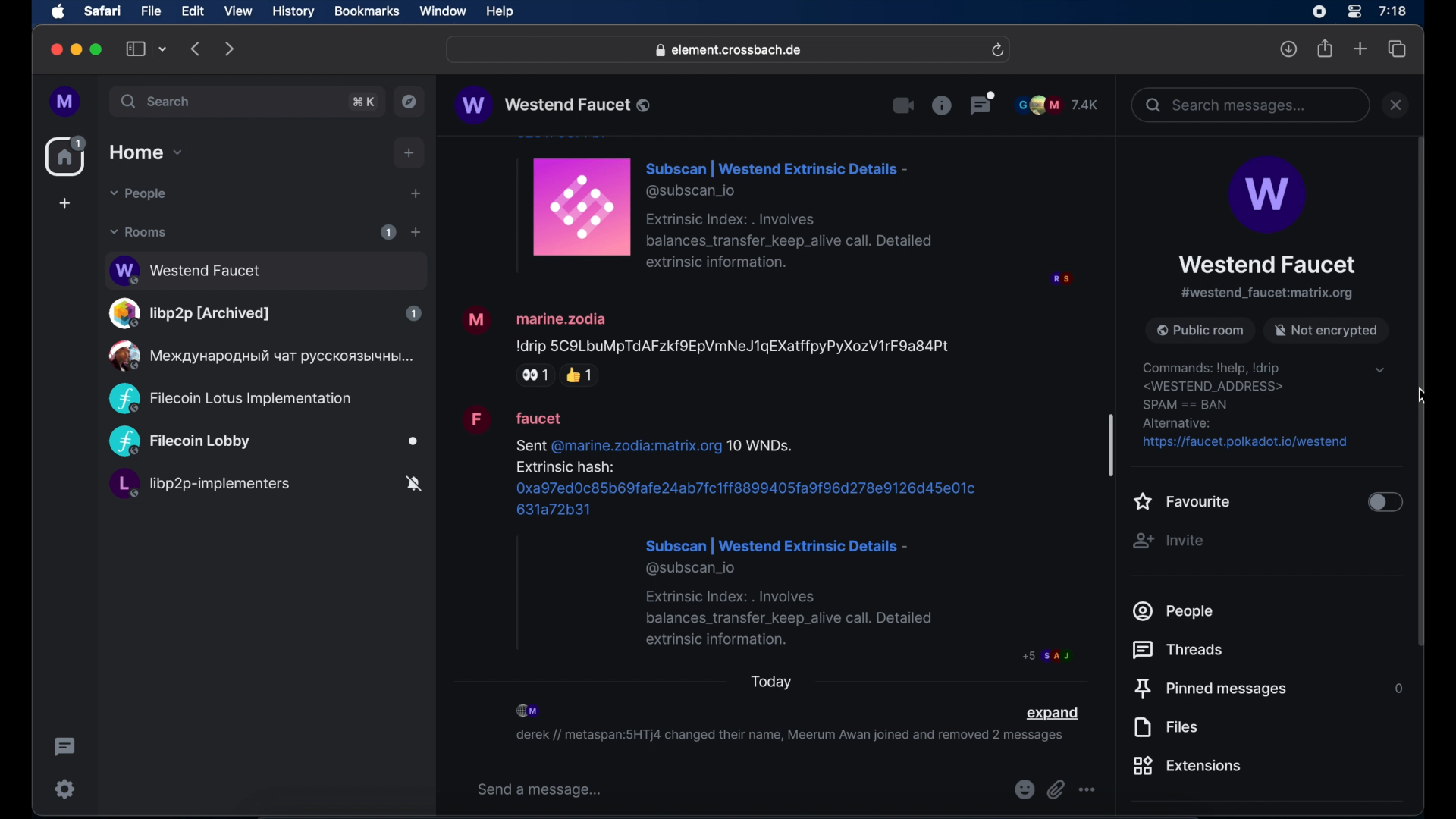  I want to click on profile, so click(66, 102).